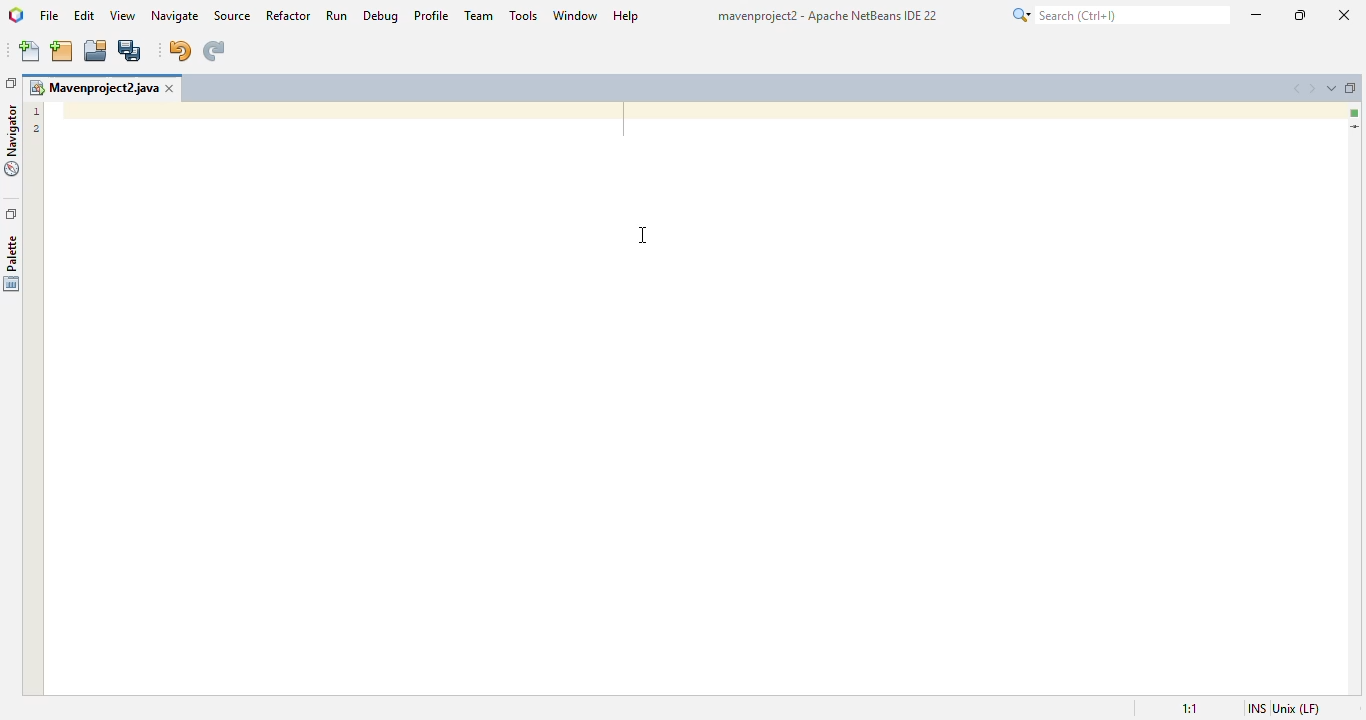 This screenshot has width=1366, height=720. Describe the element at coordinates (13, 261) in the screenshot. I see `palette window` at that location.